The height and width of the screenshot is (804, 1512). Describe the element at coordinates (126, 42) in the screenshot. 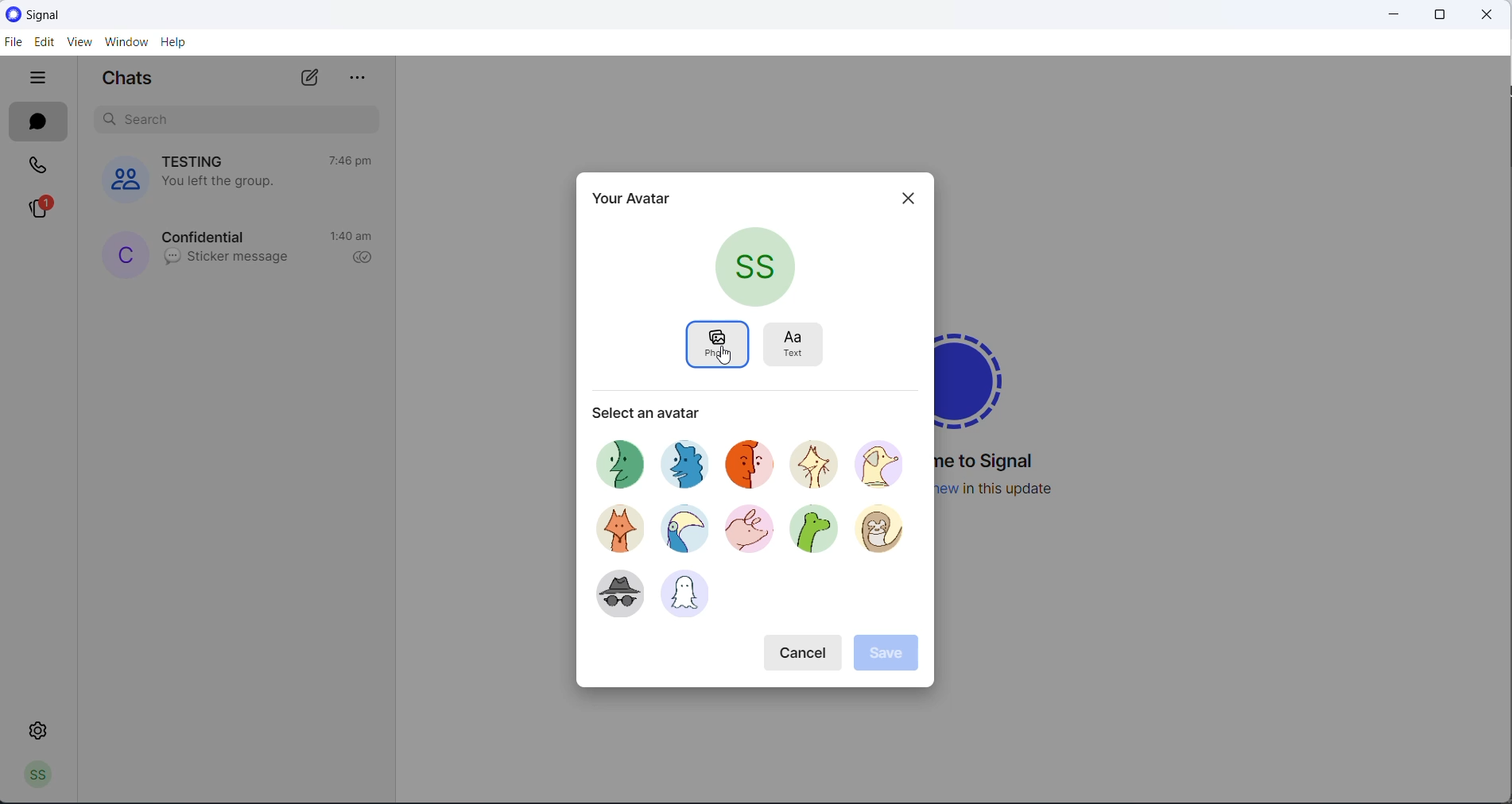

I see `WINDOW` at that location.